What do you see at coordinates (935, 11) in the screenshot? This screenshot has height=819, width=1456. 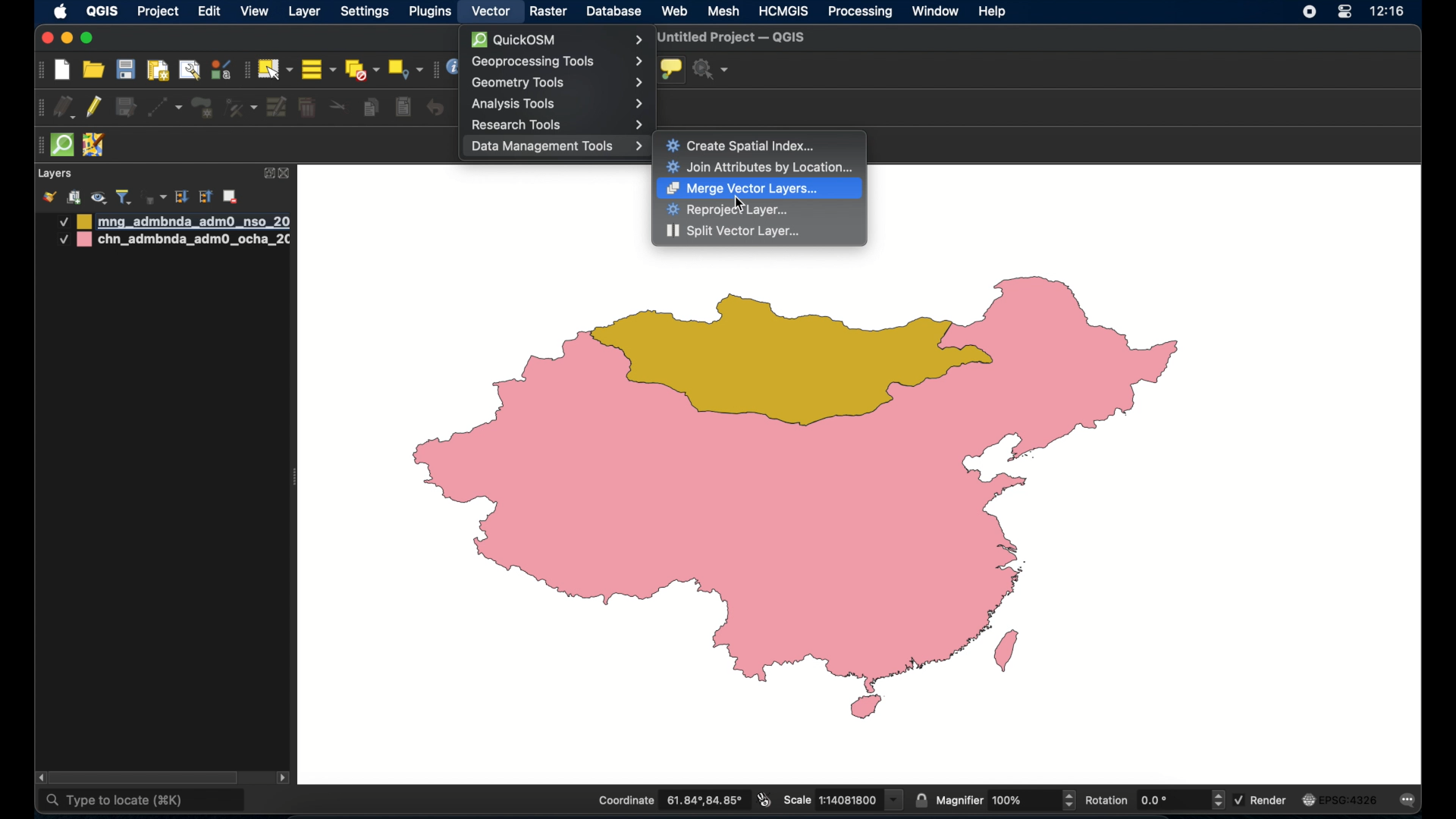 I see `window` at bounding box center [935, 11].